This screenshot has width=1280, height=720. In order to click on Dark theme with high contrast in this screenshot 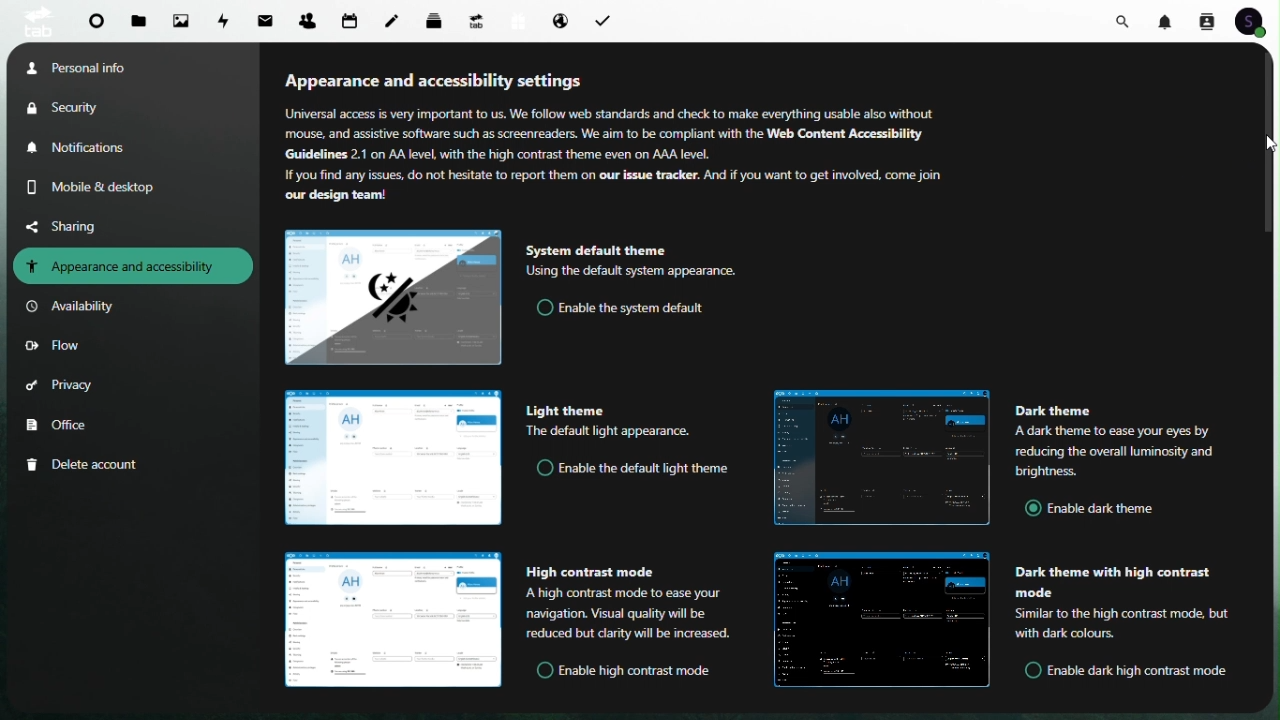, I will do `click(1114, 581)`.